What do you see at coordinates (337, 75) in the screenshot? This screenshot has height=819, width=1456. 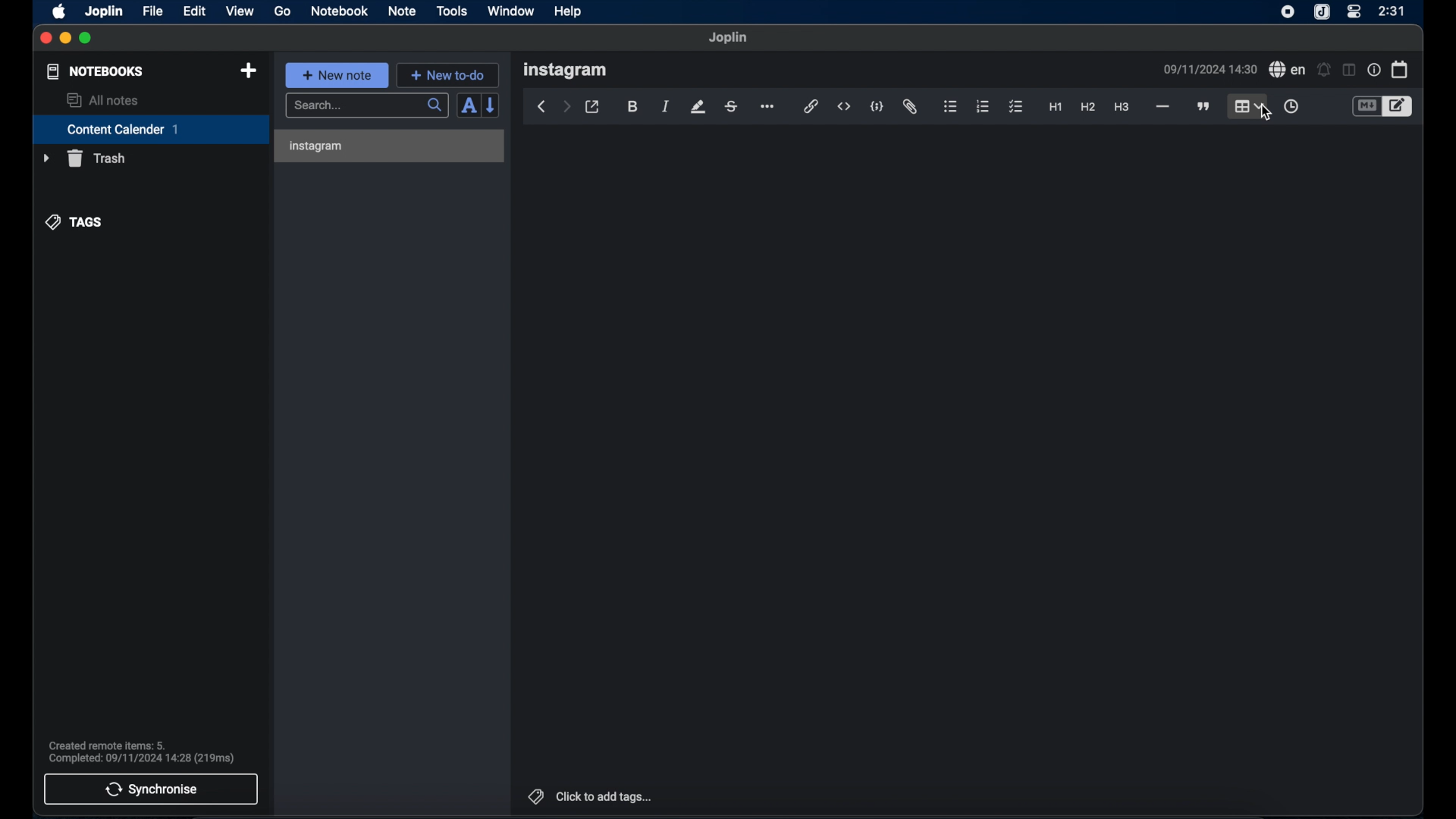 I see `new note` at bounding box center [337, 75].